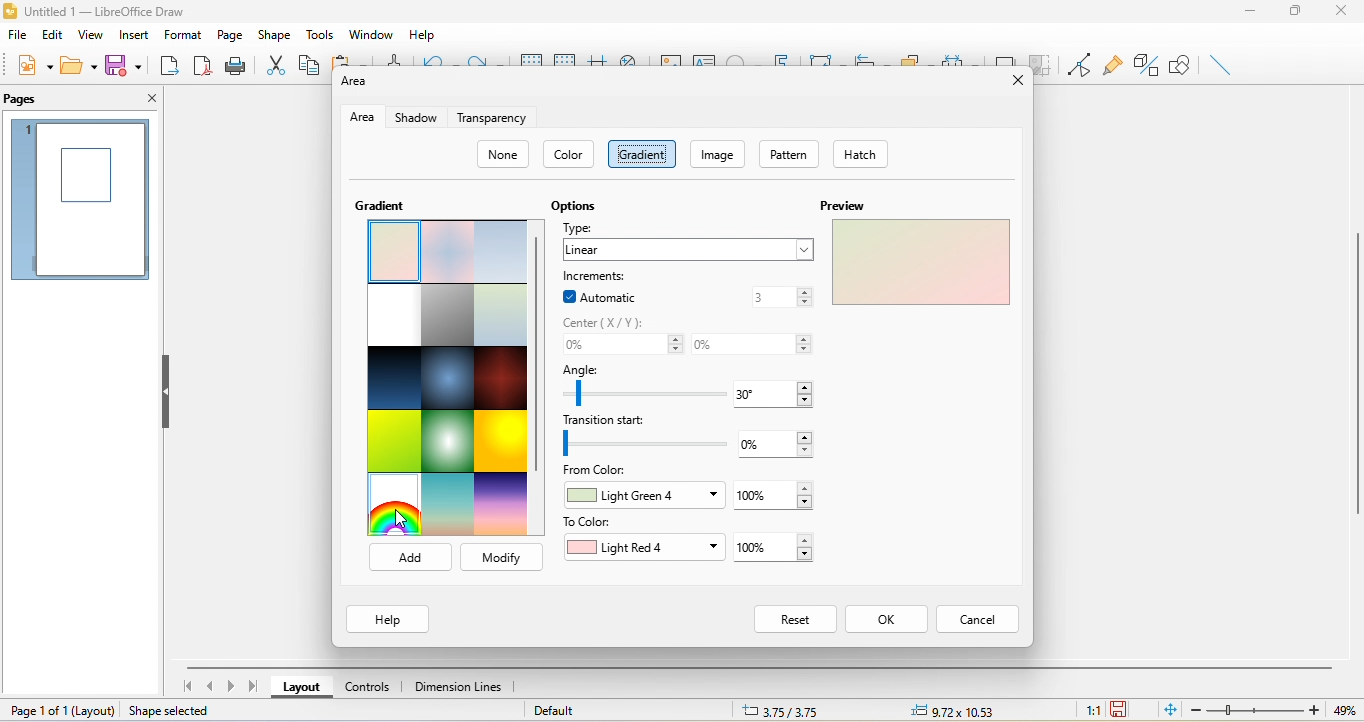 This screenshot has height=722, width=1364. Describe the element at coordinates (950, 710) in the screenshot. I see `0.00x0.00` at that location.